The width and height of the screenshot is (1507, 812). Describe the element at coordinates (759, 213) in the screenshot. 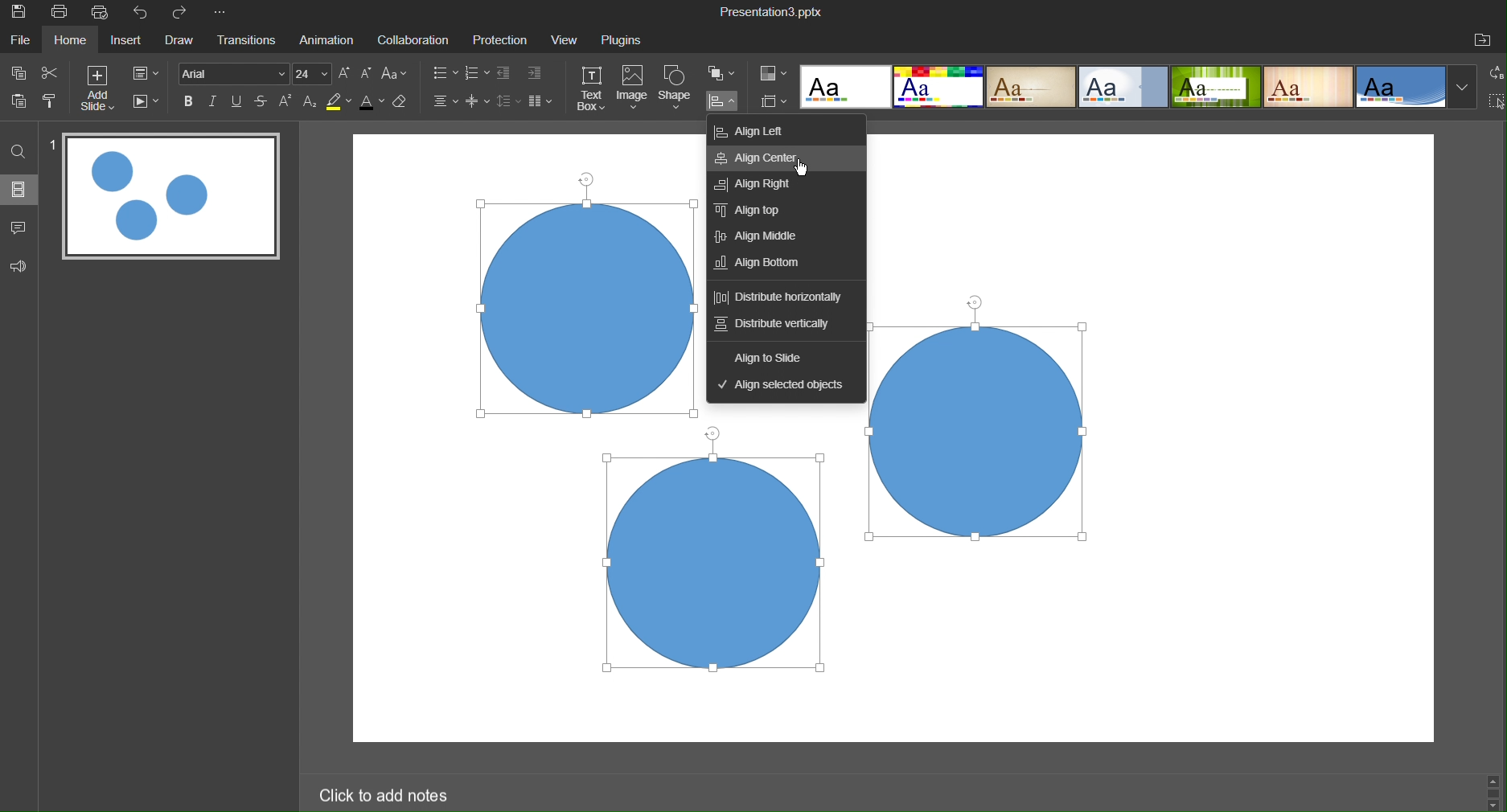

I see `Align Top` at that location.